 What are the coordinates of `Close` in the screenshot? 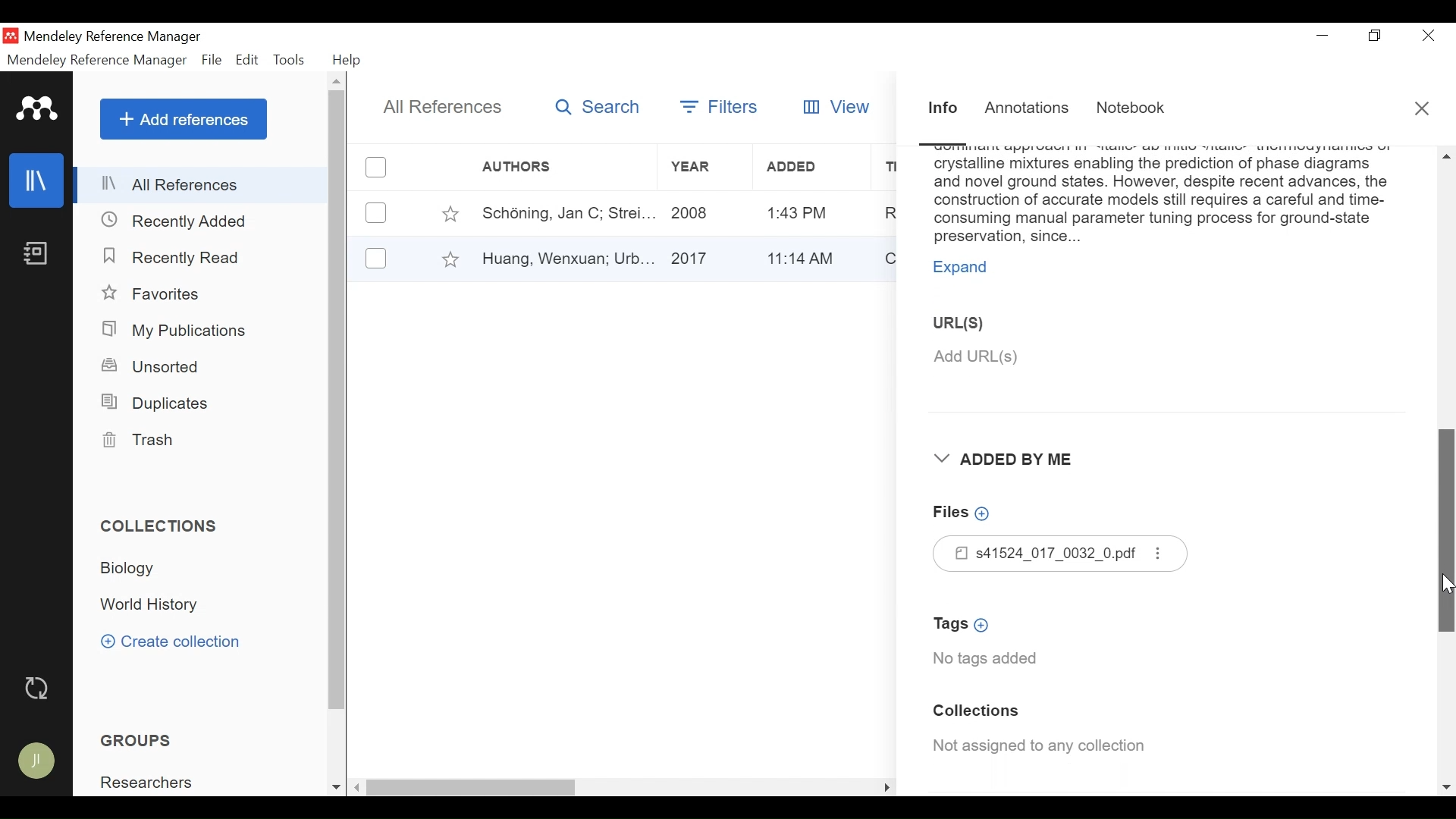 It's located at (1423, 109).